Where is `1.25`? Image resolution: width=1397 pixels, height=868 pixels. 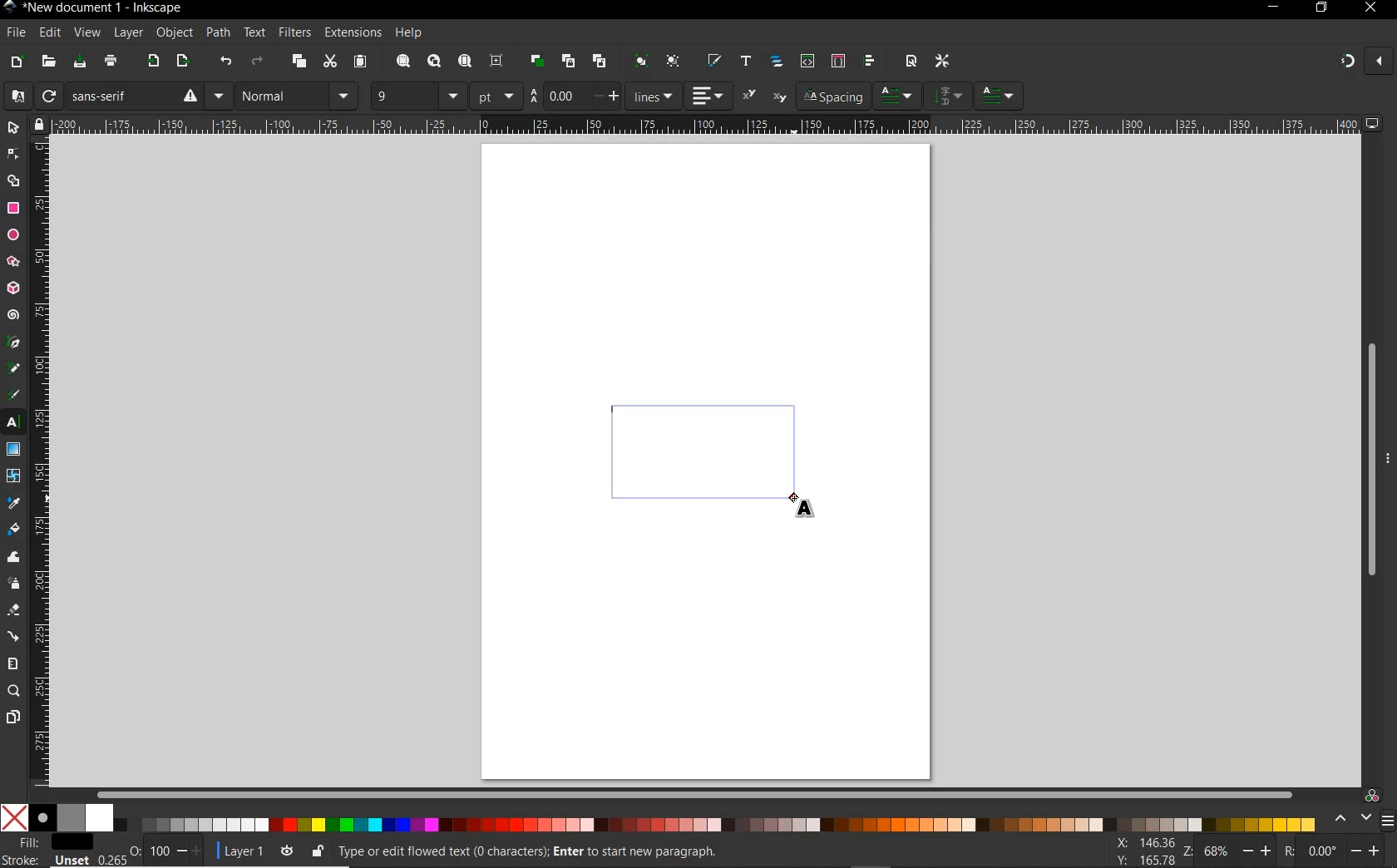
1.25 is located at coordinates (561, 96).